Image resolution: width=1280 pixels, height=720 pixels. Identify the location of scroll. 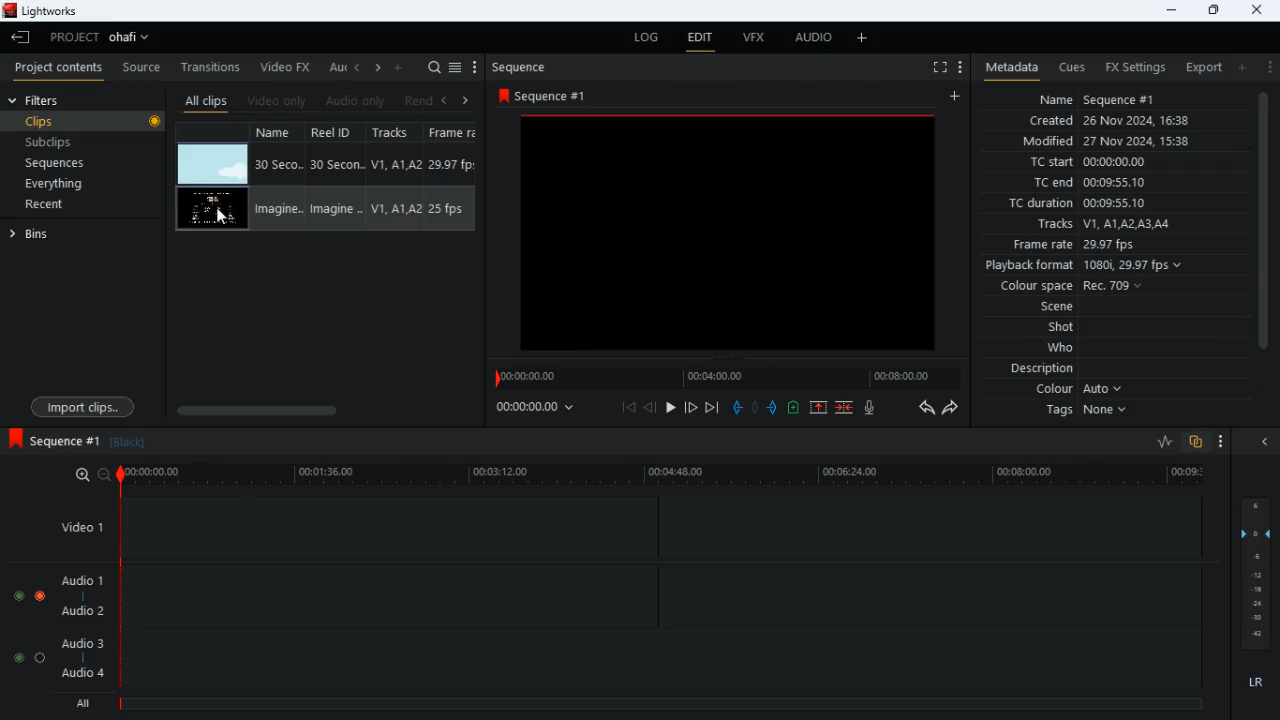
(1265, 233).